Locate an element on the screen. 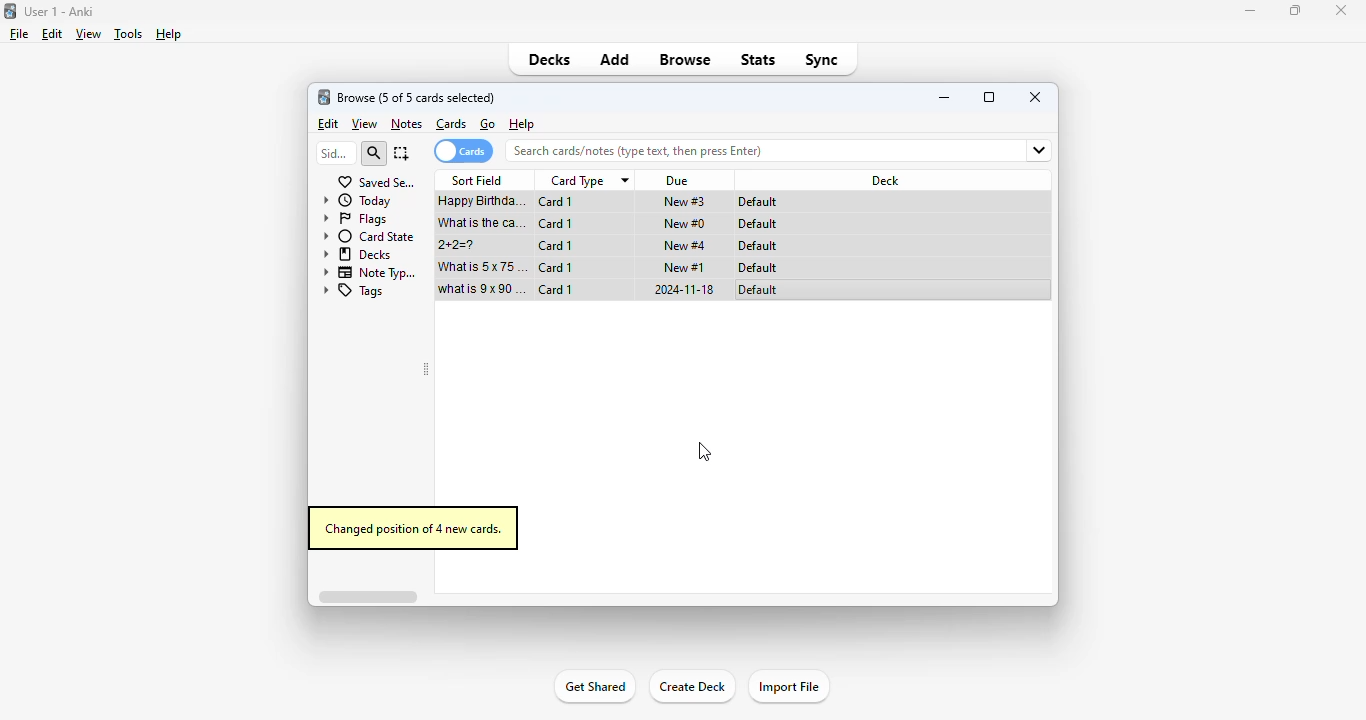 This screenshot has width=1366, height=720. maximize is located at coordinates (989, 96).